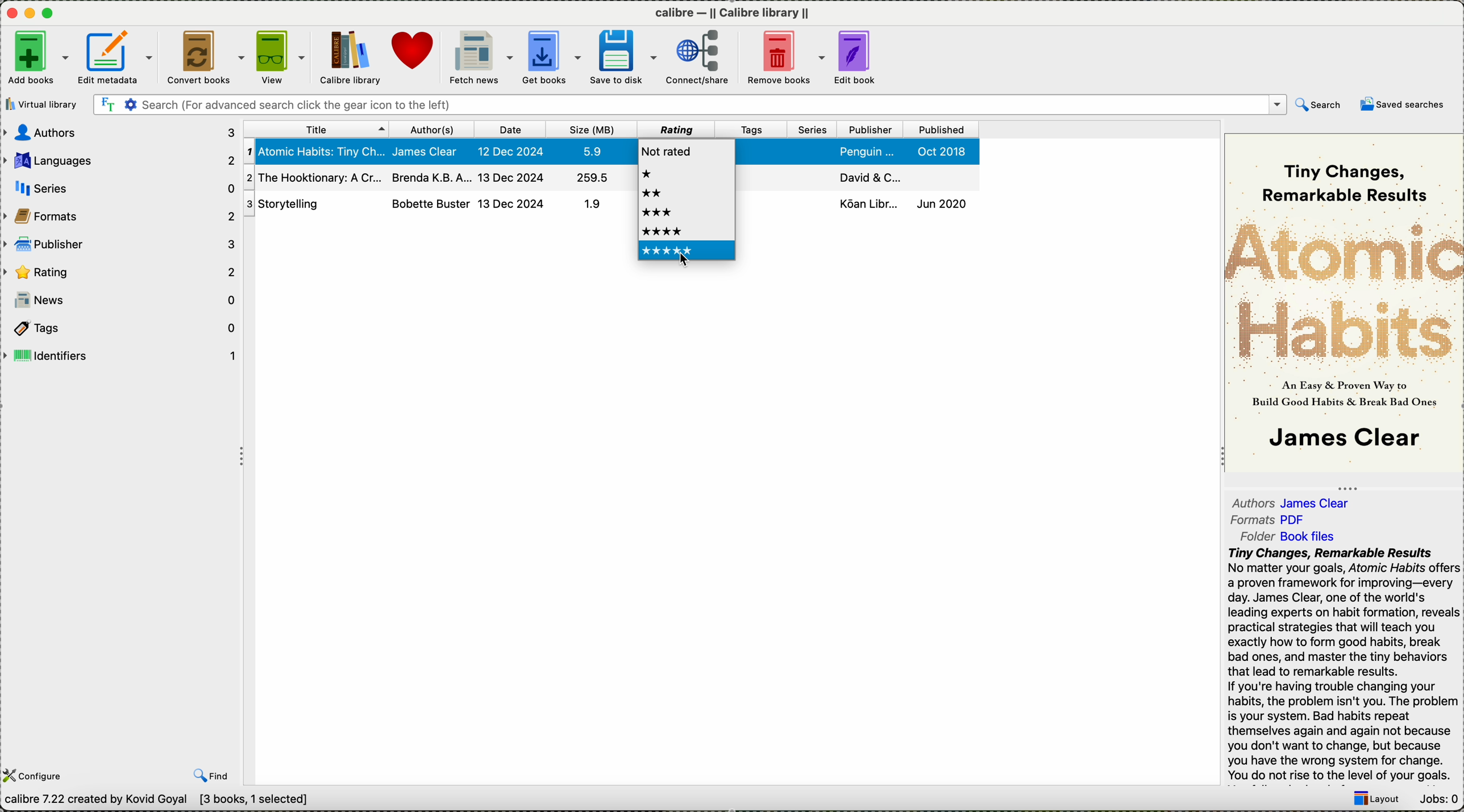  I want to click on publisher, so click(870, 128).